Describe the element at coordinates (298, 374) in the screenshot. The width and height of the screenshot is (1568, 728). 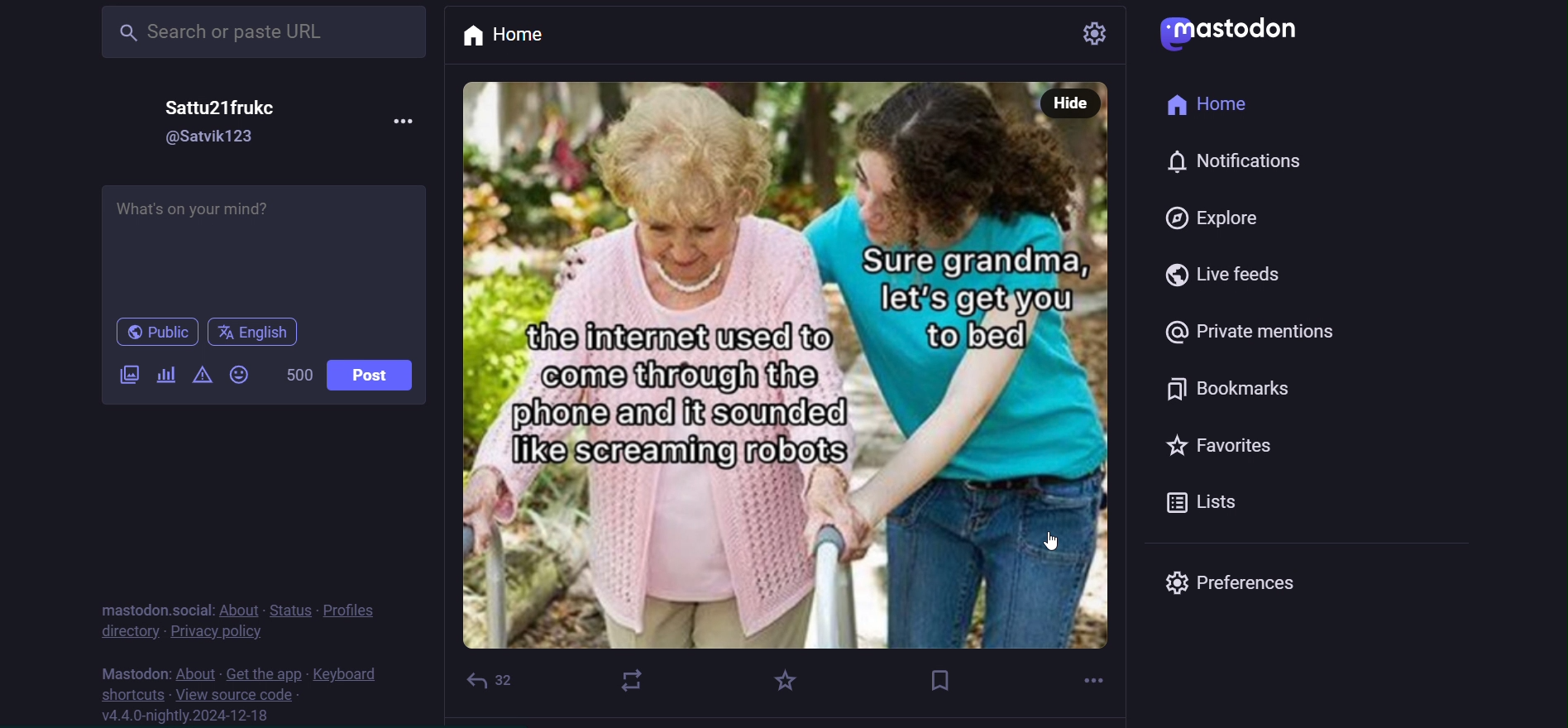
I see `word limit` at that location.